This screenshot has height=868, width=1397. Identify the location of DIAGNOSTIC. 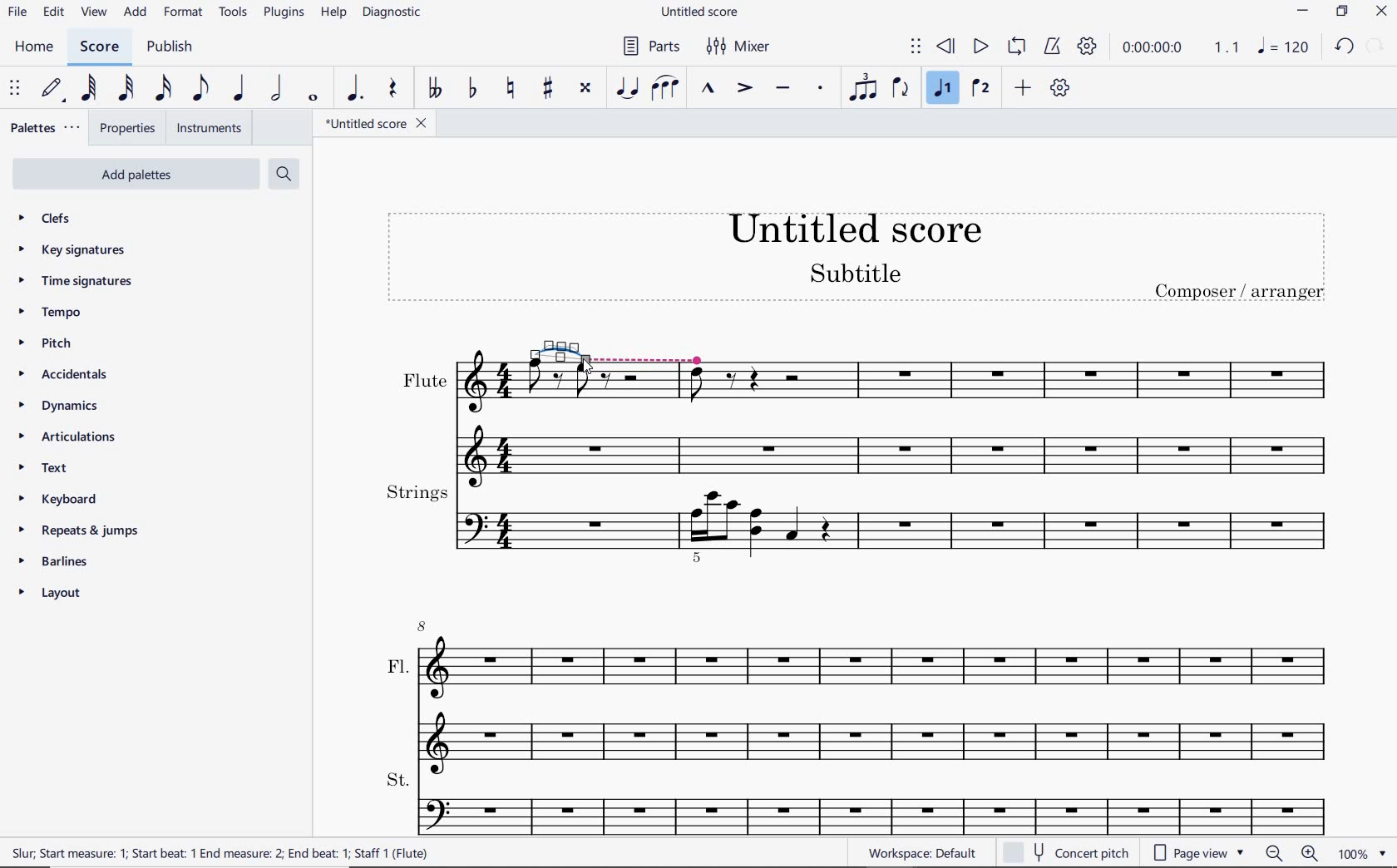
(398, 13).